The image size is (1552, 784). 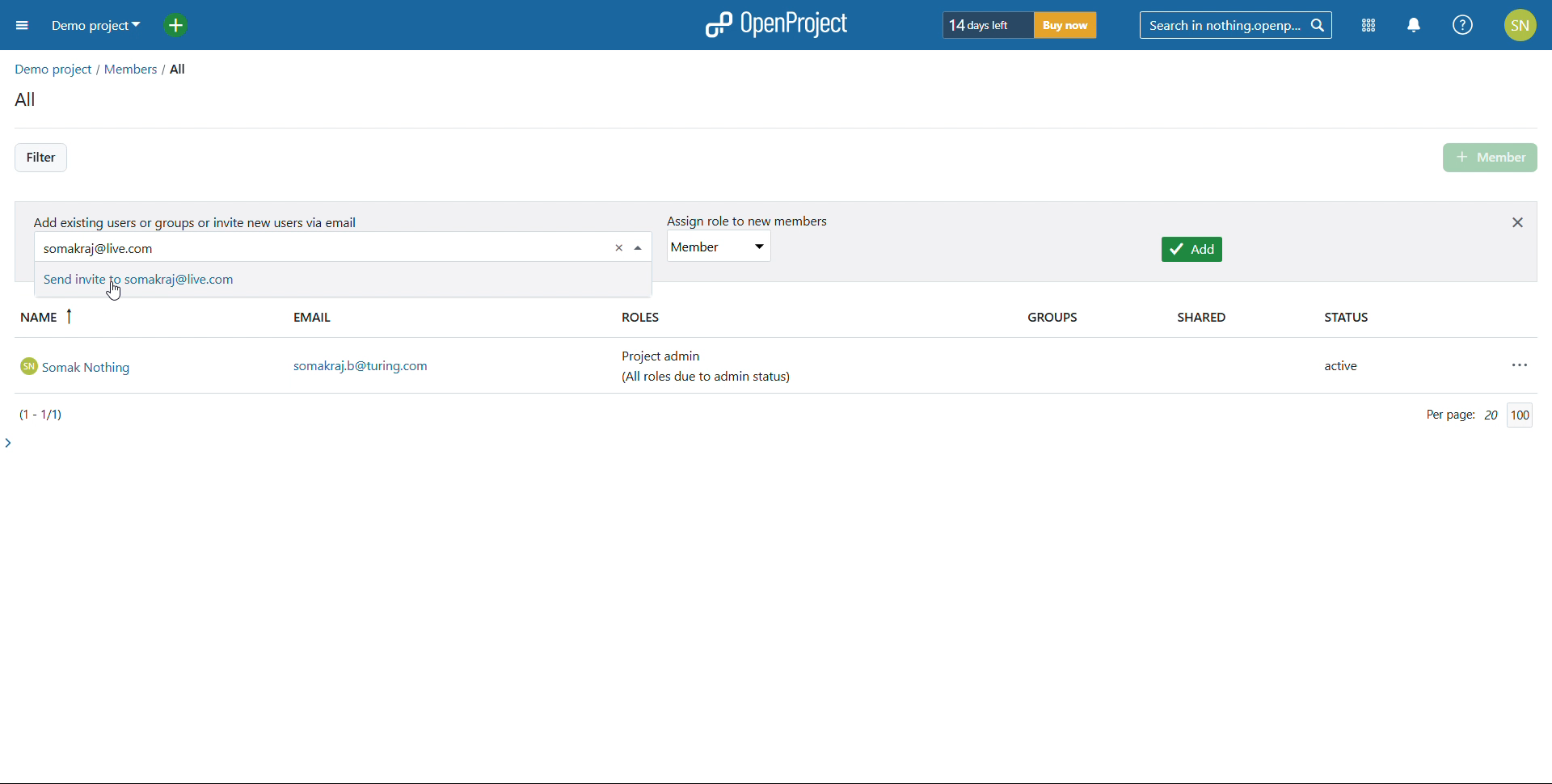 What do you see at coordinates (1084, 318) in the screenshot?
I see `groups` at bounding box center [1084, 318].